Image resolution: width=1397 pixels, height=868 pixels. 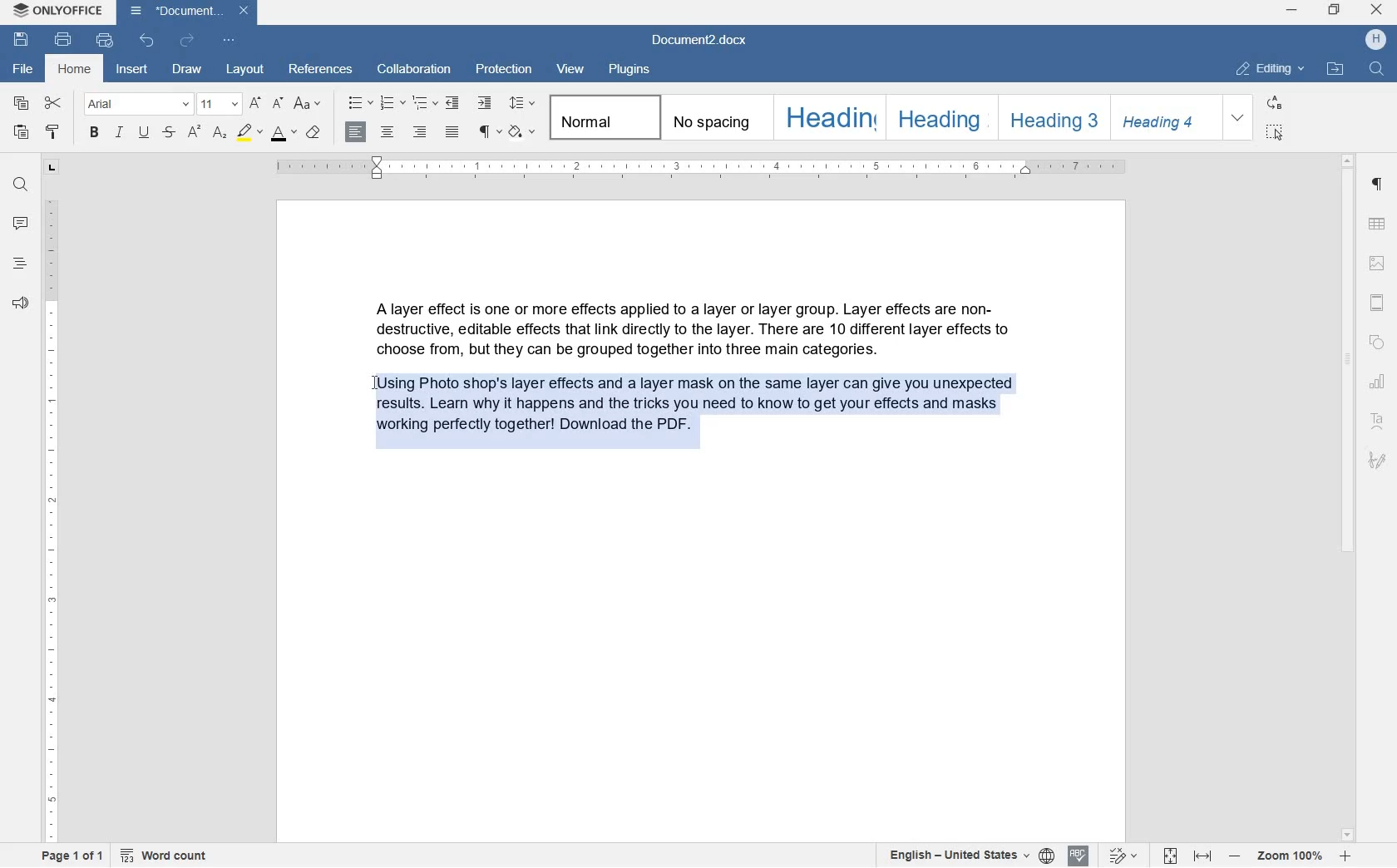 What do you see at coordinates (21, 304) in the screenshot?
I see `FEEDBACK & SUPPORT` at bounding box center [21, 304].